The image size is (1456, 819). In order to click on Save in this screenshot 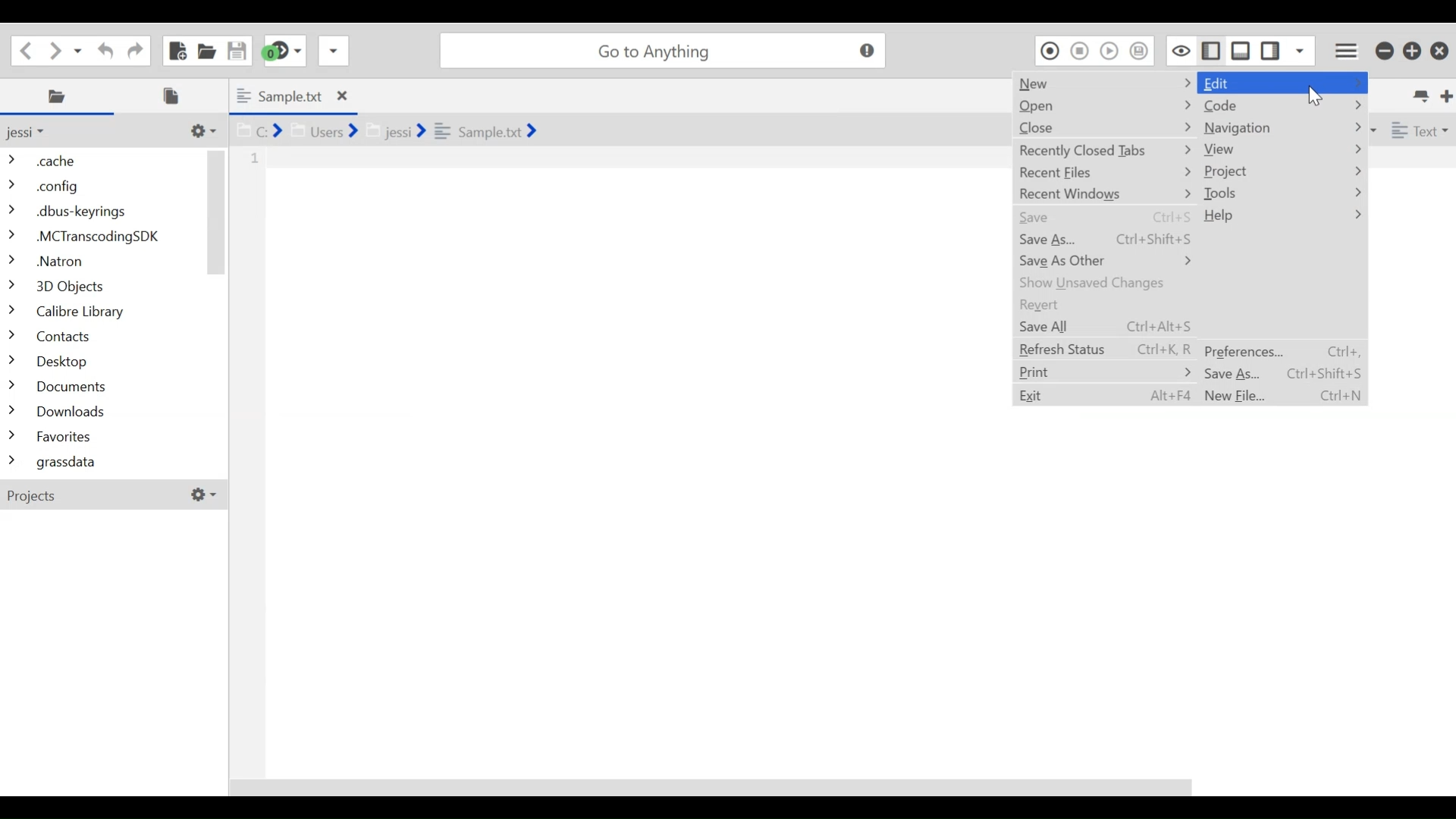, I will do `click(1103, 219)`.